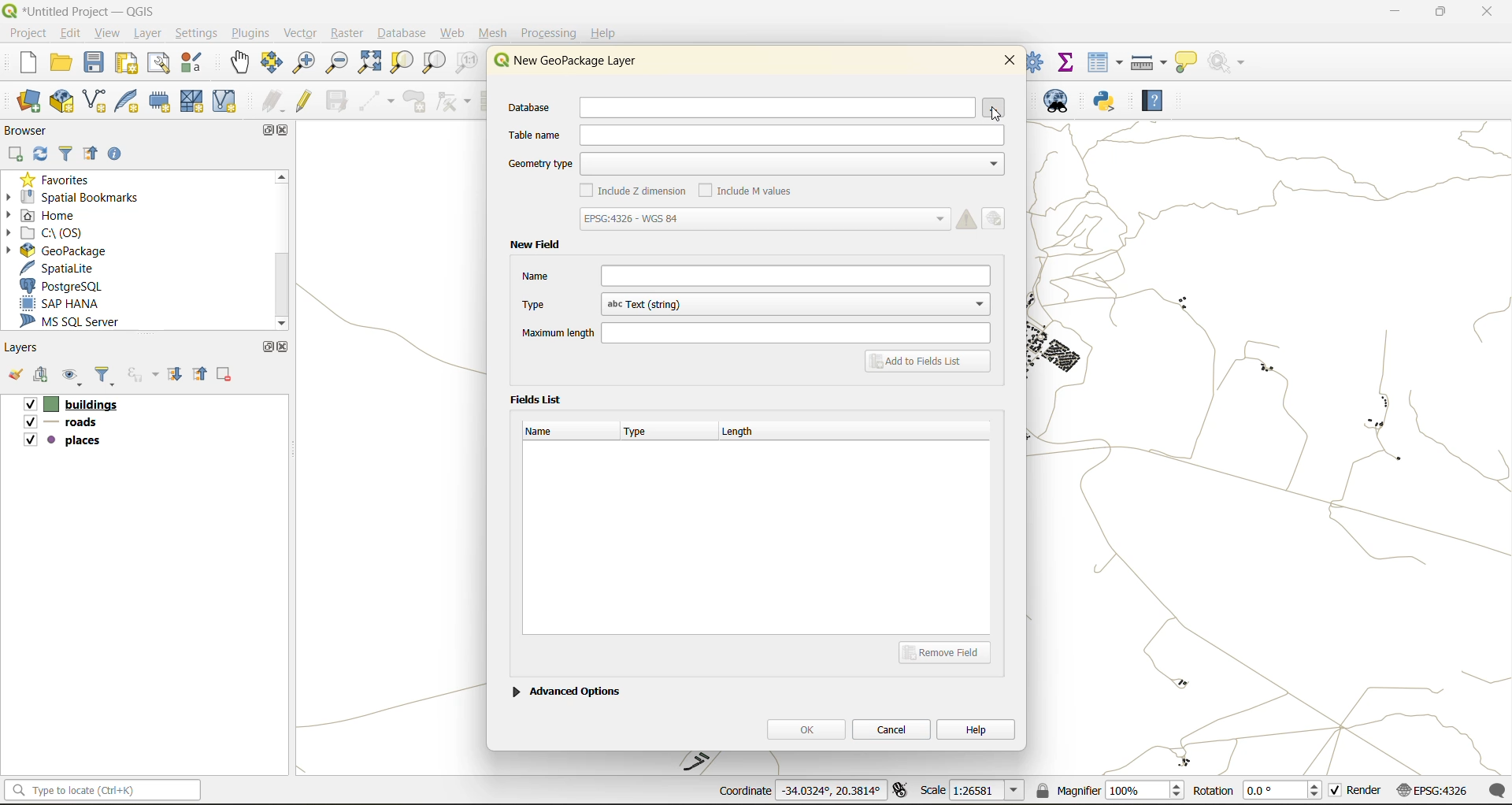 This screenshot has height=805, width=1512. Describe the element at coordinates (74, 378) in the screenshot. I see `manage map` at that location.